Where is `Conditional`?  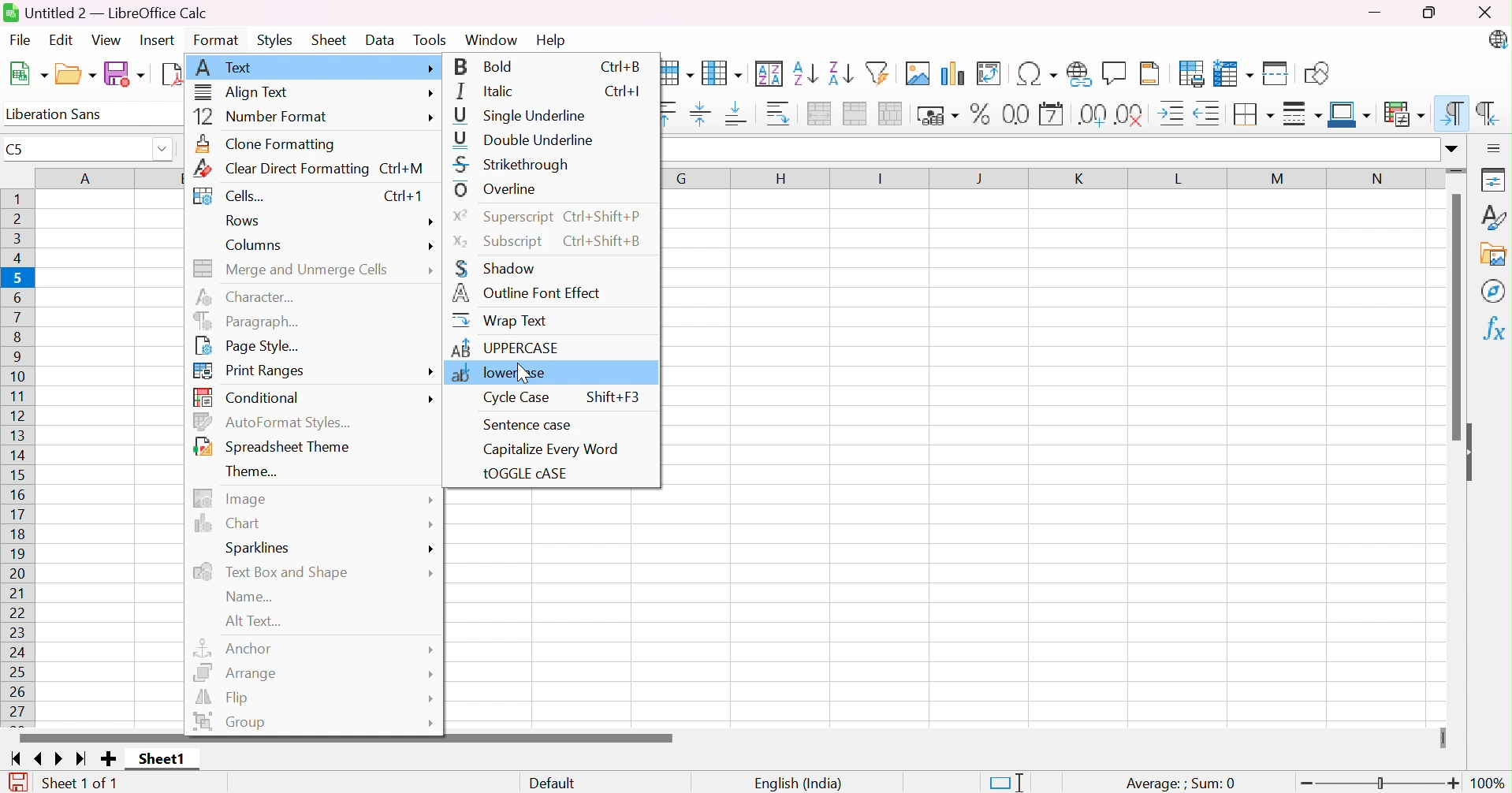 Conditional is located at coordinates (1405, 114).